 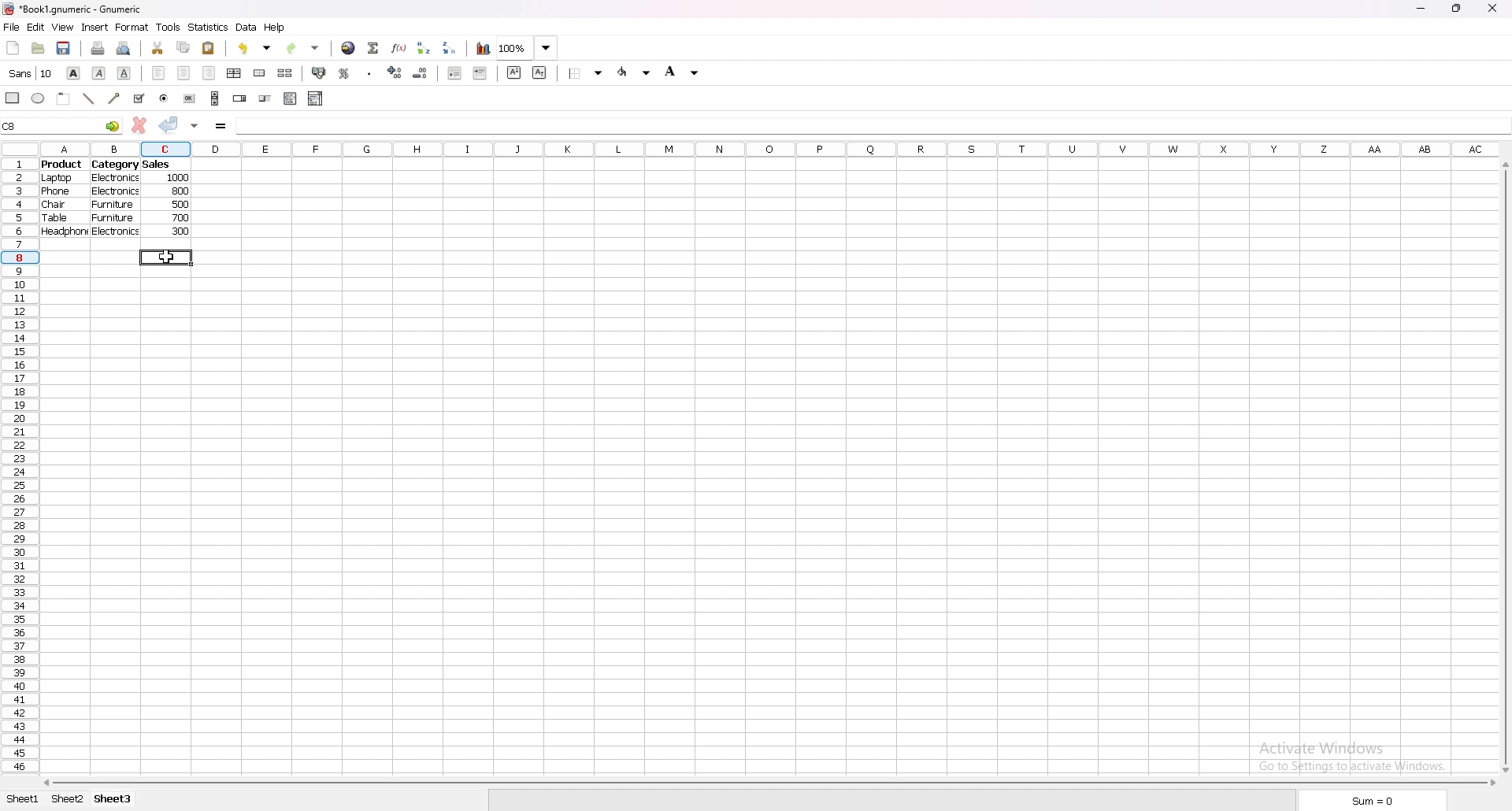 I want to click on functions, so click(x=399, y=47).